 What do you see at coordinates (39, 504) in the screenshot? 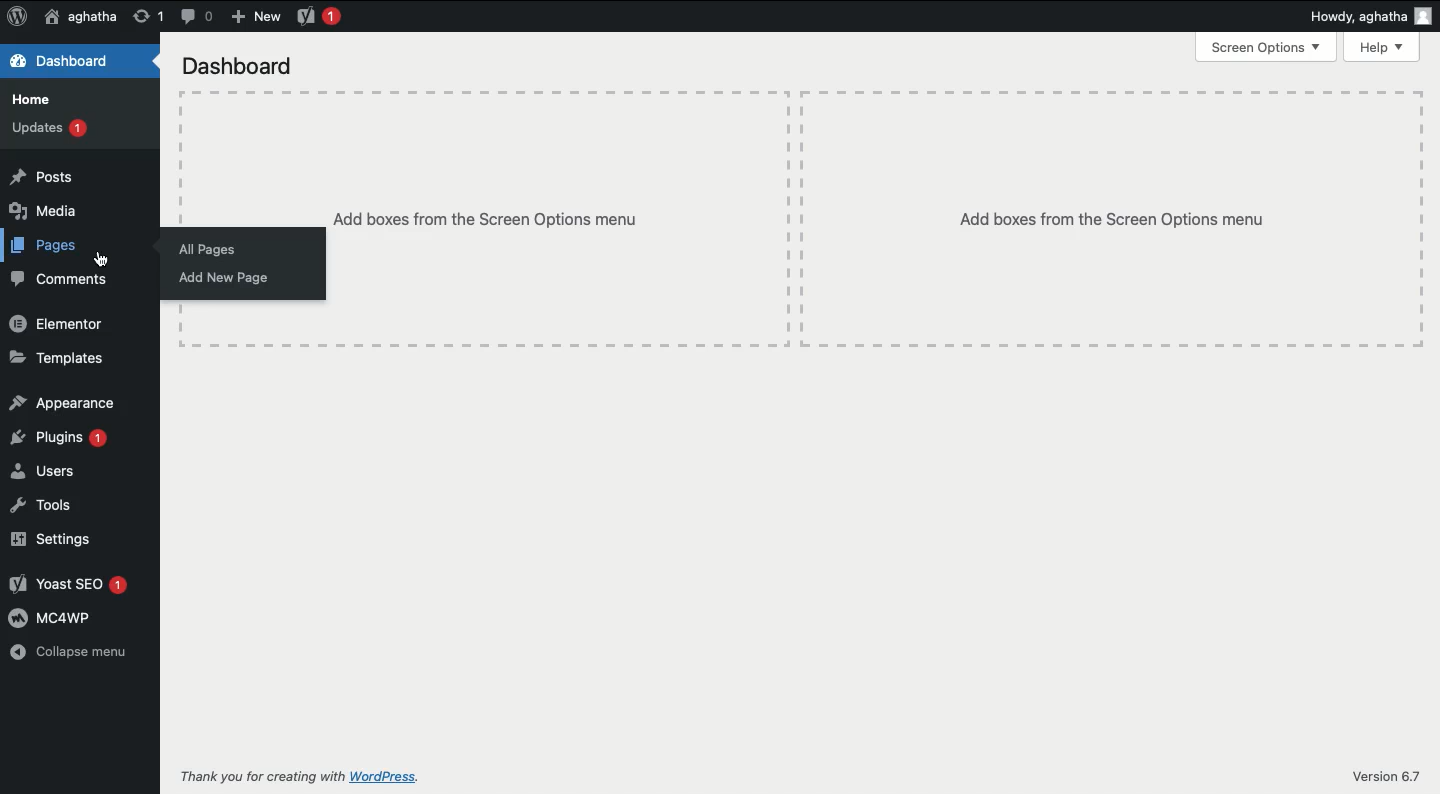
I see `Tools` at bounding box center [39, 504].